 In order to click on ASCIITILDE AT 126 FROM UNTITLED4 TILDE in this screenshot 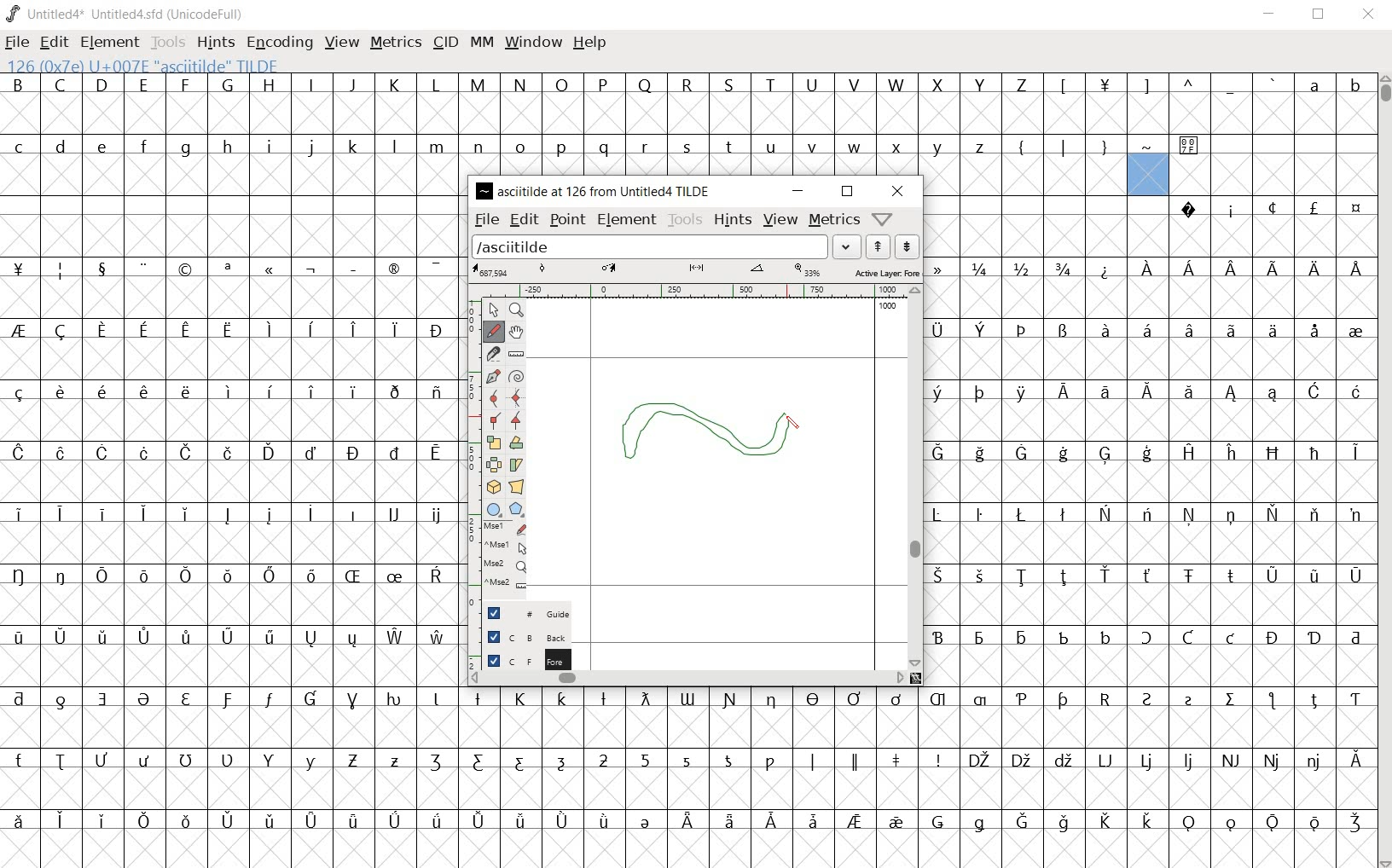, I will do `click(595, 189)`.